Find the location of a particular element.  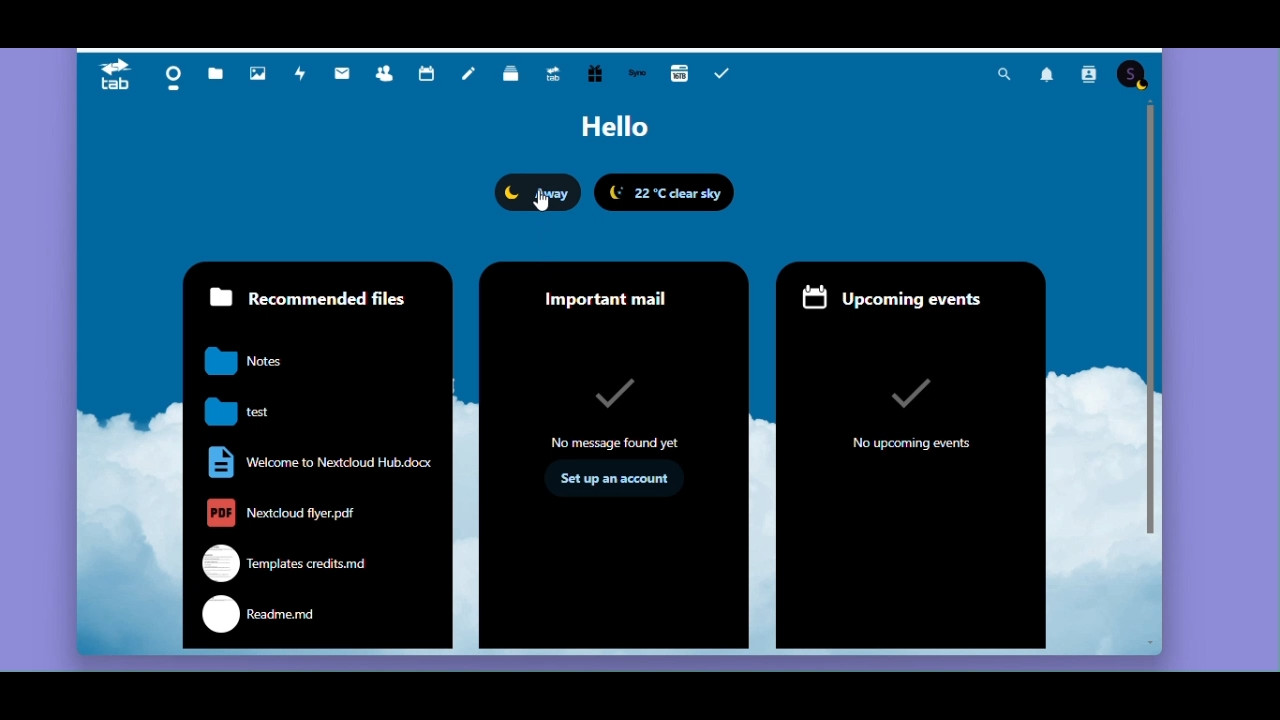

Free trial is located at coordinates (594, 75).